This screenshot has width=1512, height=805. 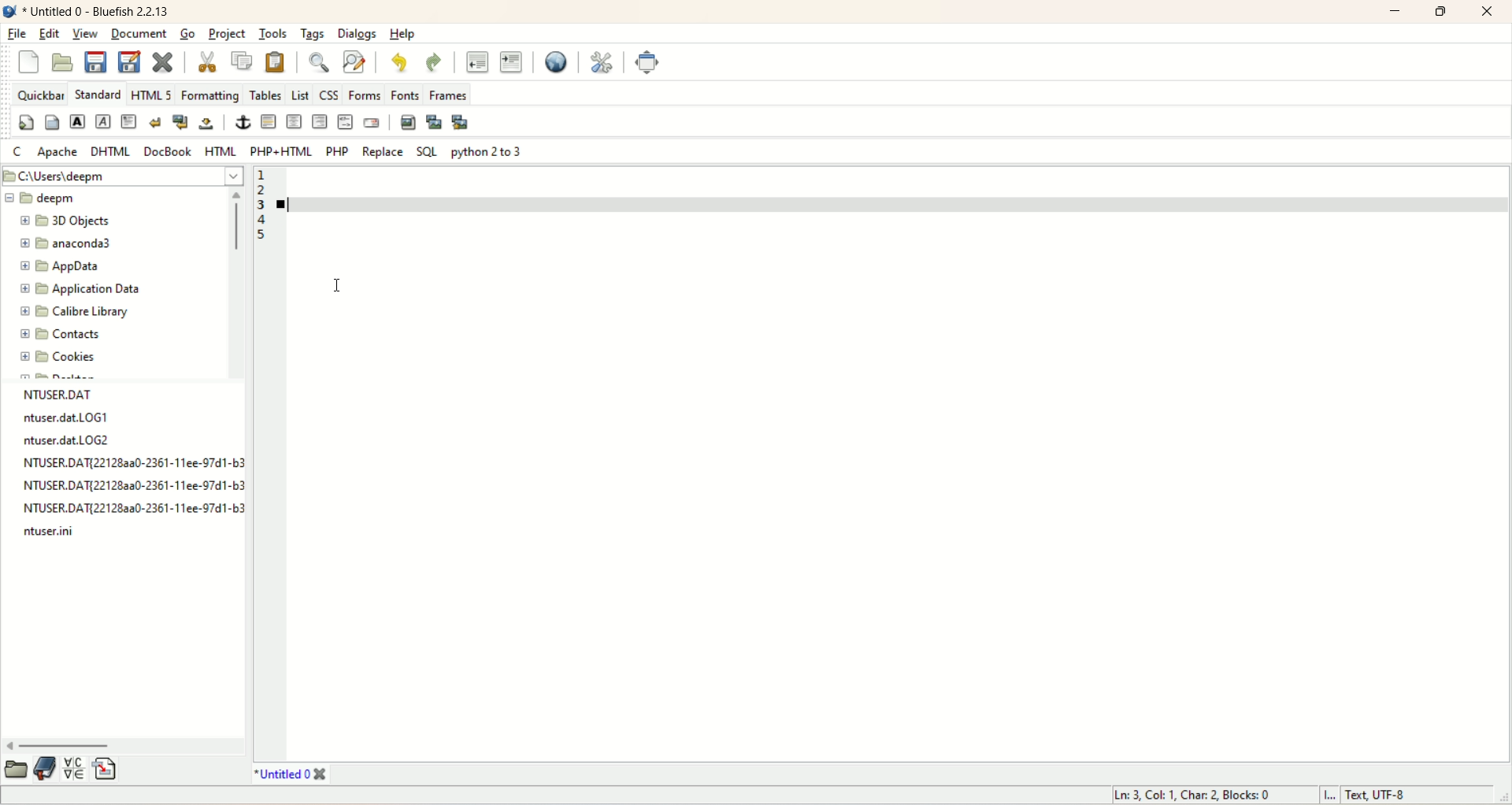 I want to click on quickbar, so click(x=39, y=96).